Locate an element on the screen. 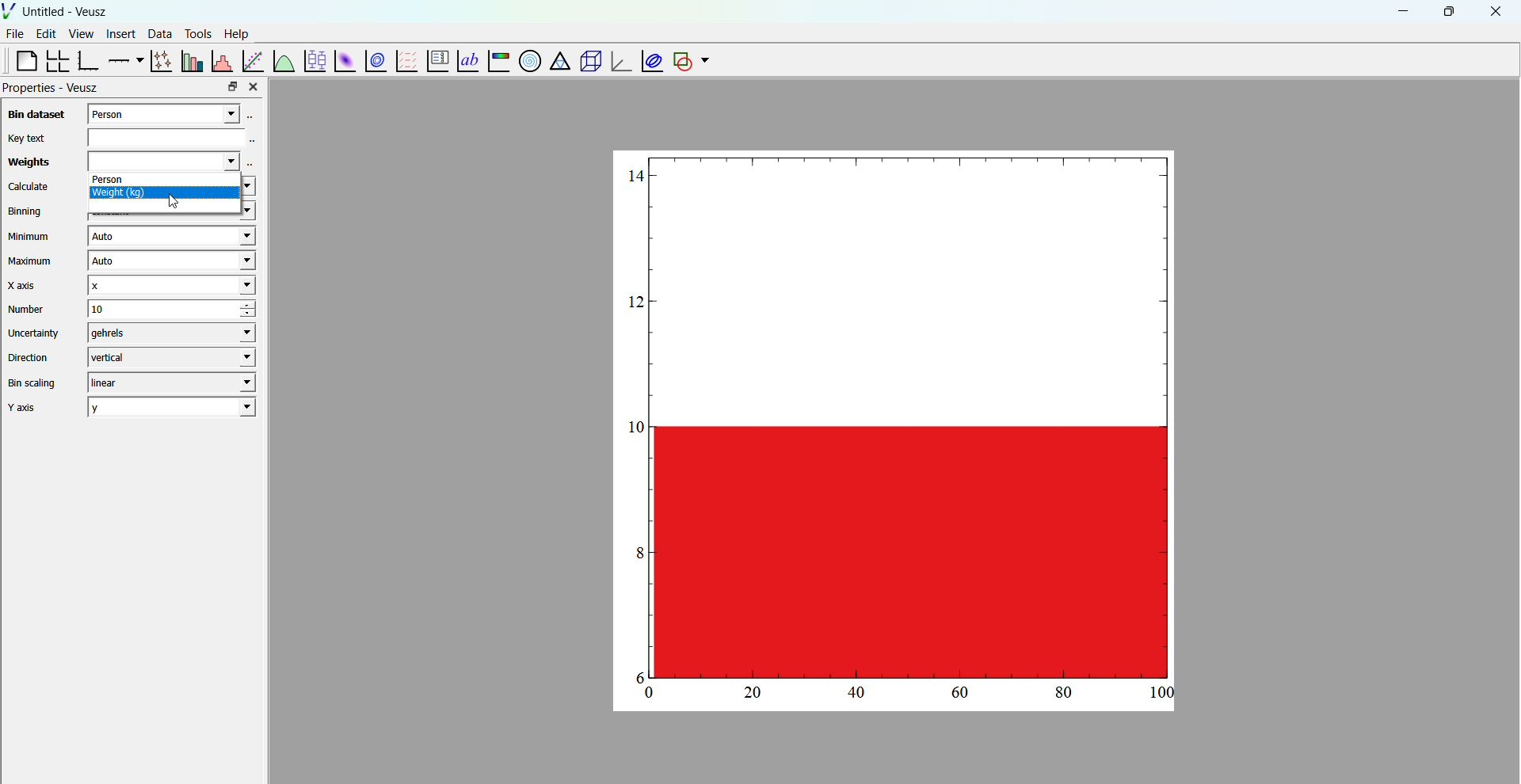  plot 2d dataset as an image is located at coordinates (342, 61).